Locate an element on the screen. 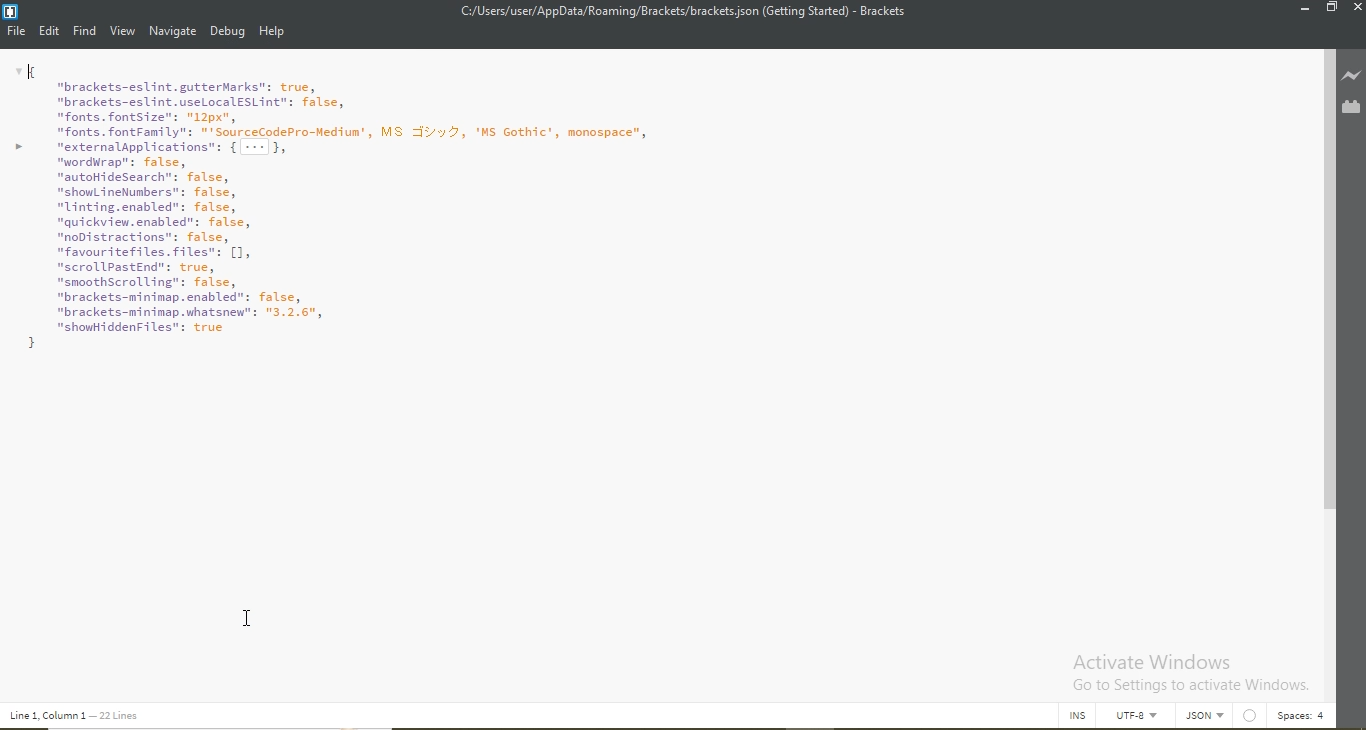  Spaces:4 is located at coordinates (1301, 716).